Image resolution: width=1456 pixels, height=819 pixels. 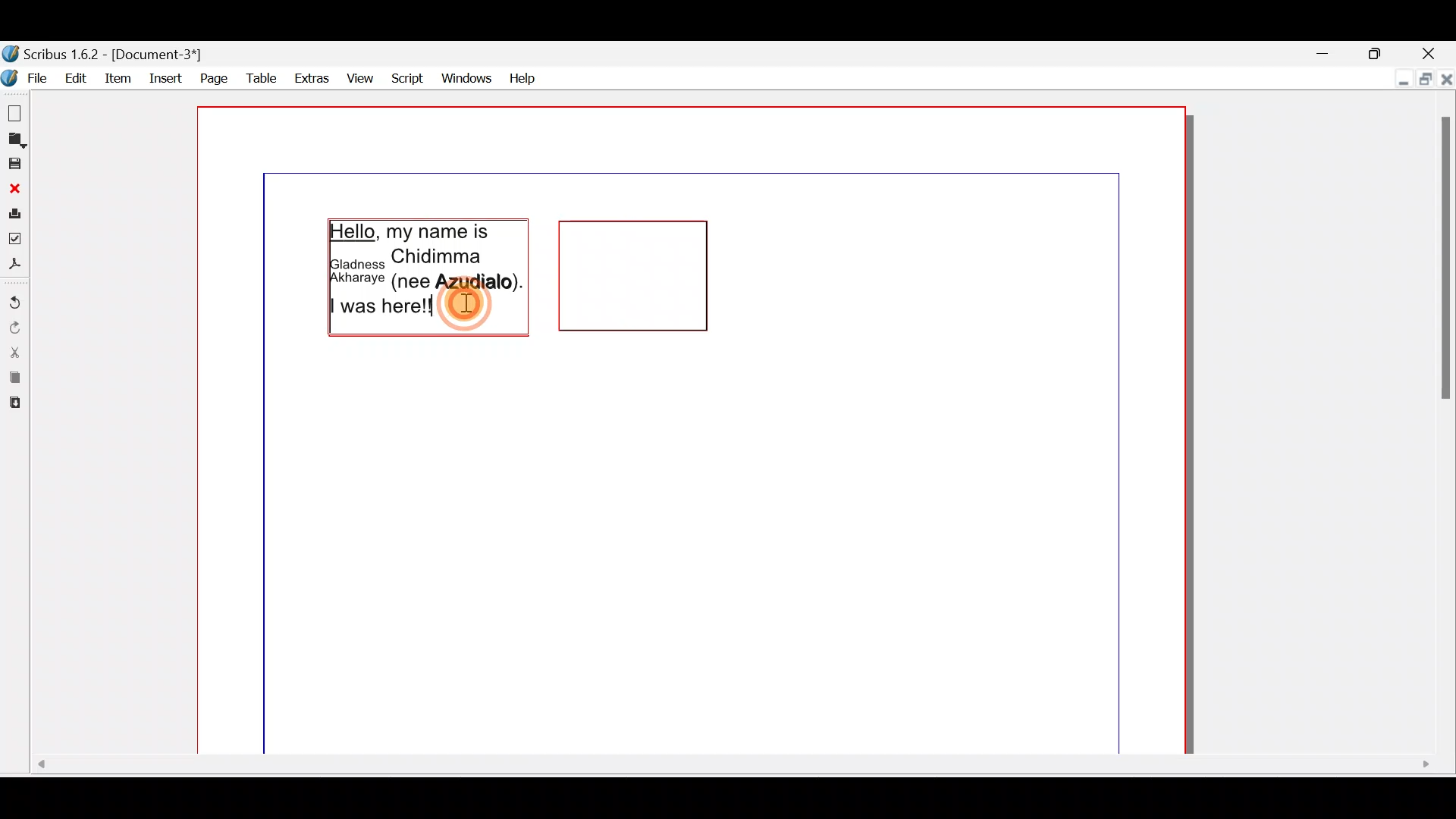 What do you see at coordinates (524, 77) in the screenshot?
I see `Help` at bounding box center [524, 77].